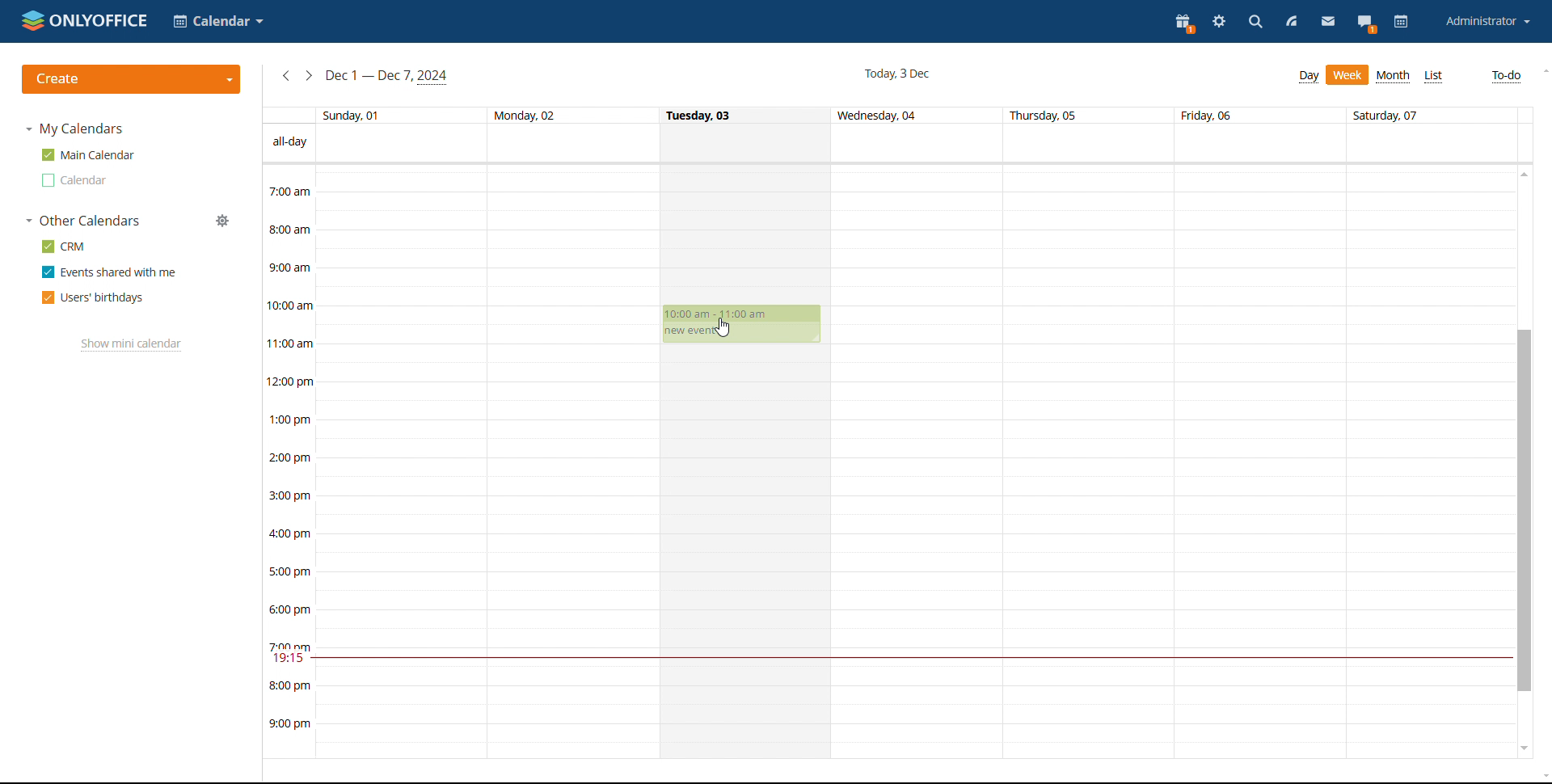  What do you see at coordinates (293, 306) in the screenshot?
I see `10:00 am` at bounding box center [293, 306].